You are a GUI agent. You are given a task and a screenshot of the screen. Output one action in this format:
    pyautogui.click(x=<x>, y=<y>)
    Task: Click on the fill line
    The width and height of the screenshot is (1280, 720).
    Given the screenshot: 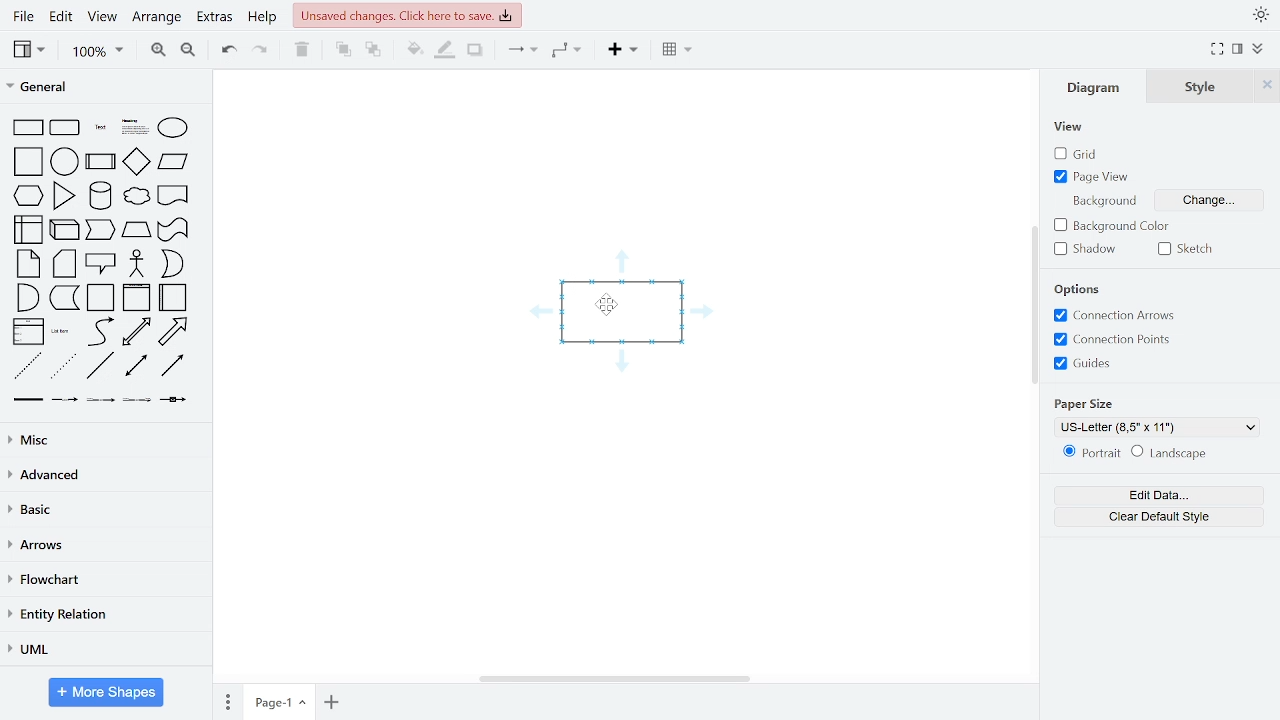 What is the action you would take?
    pyautogui.click(x=446, y=50)
    